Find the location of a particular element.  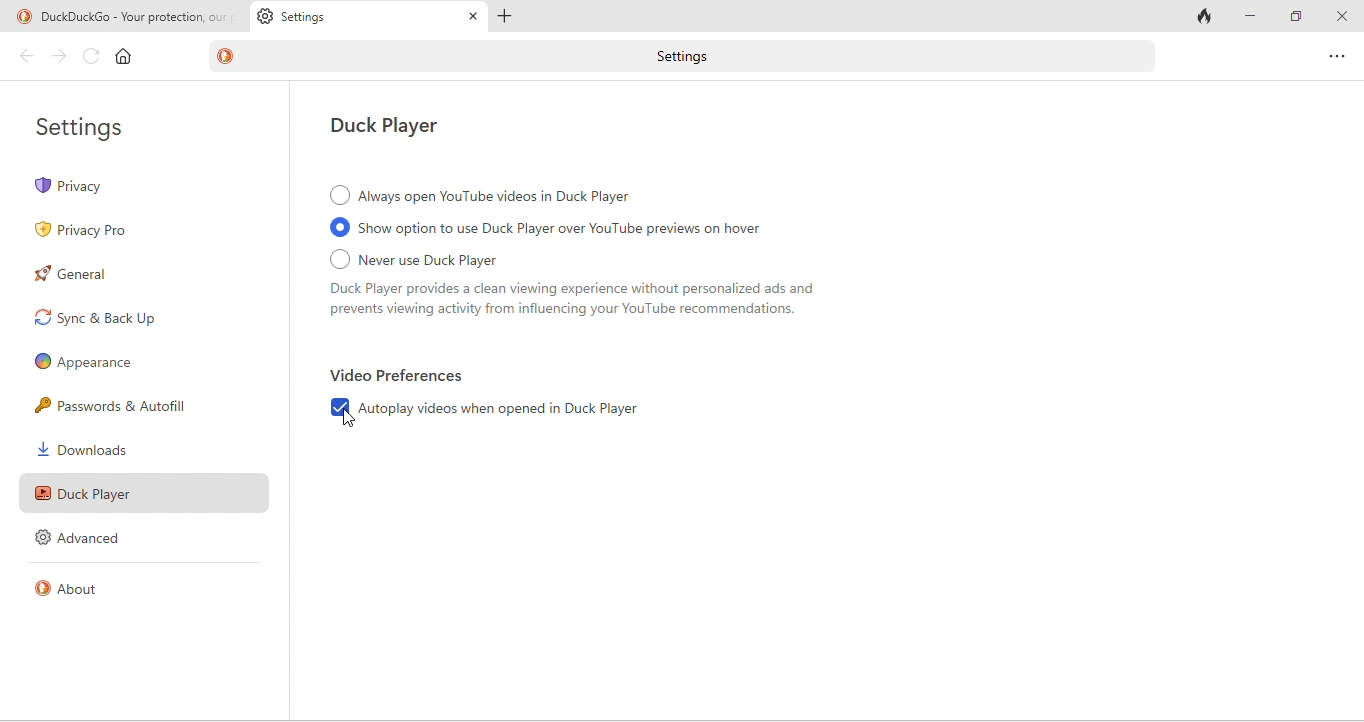

video preferences is located at coordinates (399, 376).